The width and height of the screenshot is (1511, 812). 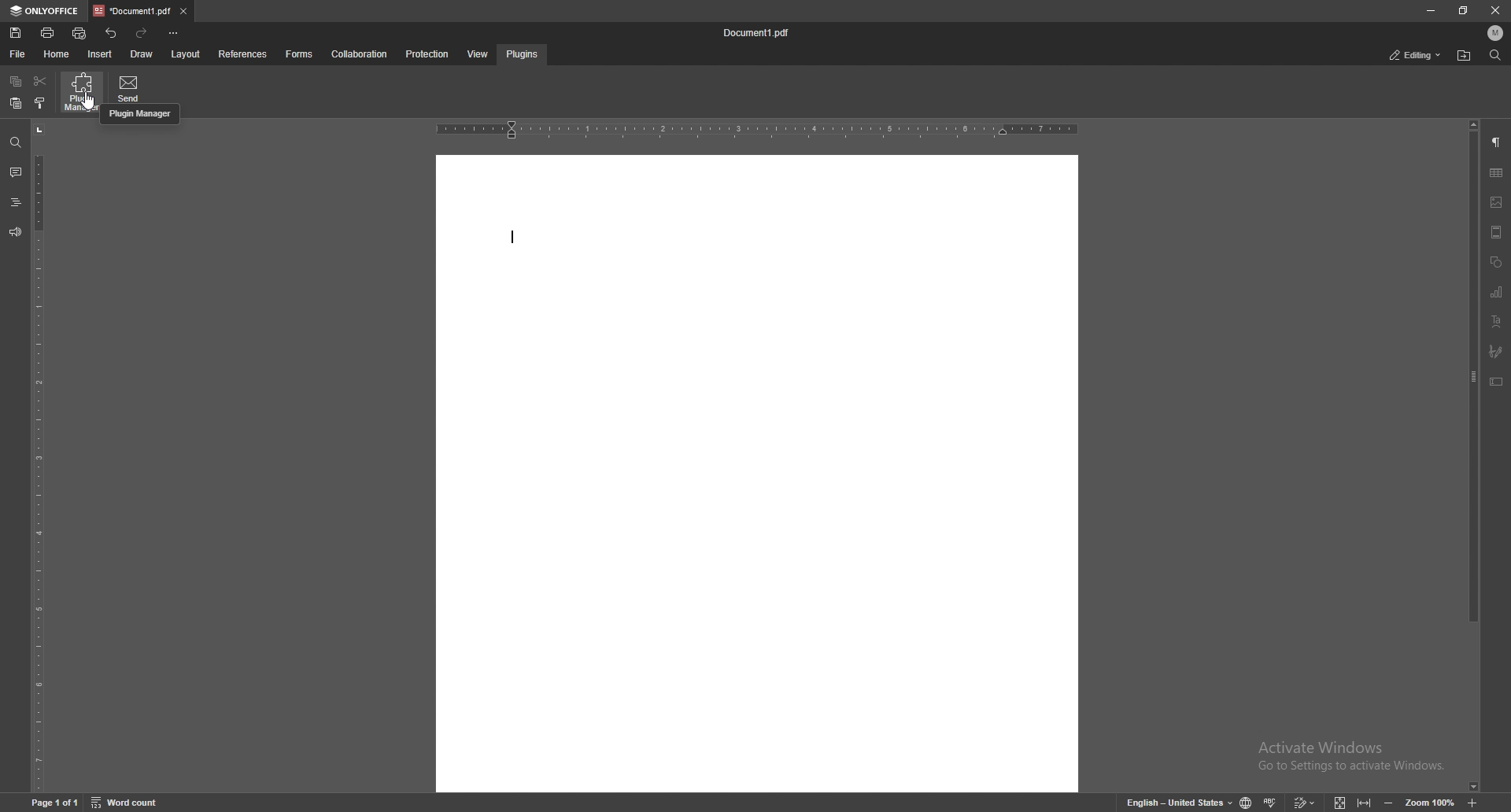 I want to click on file name, so click(x=759, y=34).